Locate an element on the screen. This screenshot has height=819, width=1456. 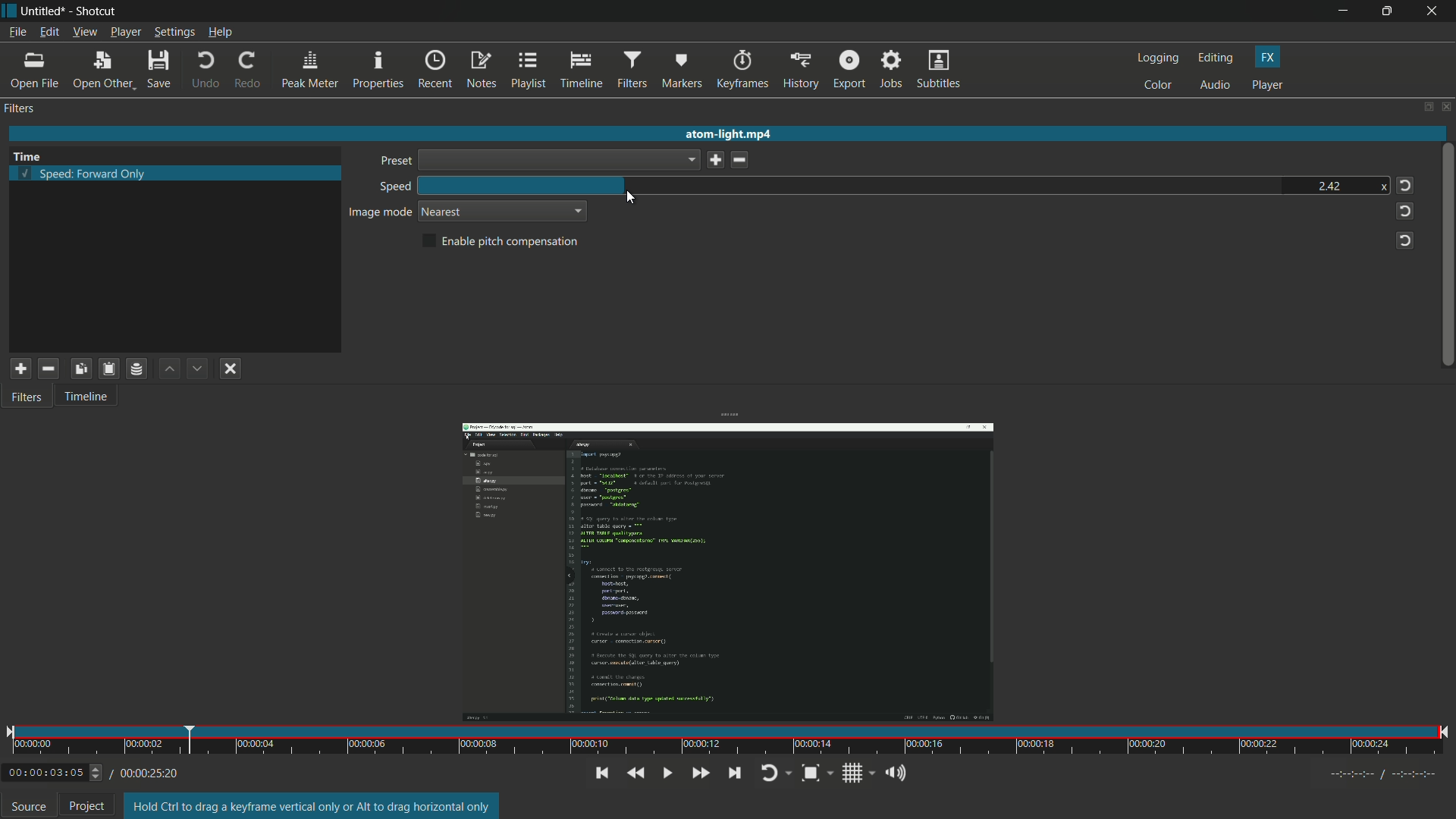
timeline is located at coordinates (581, 71).